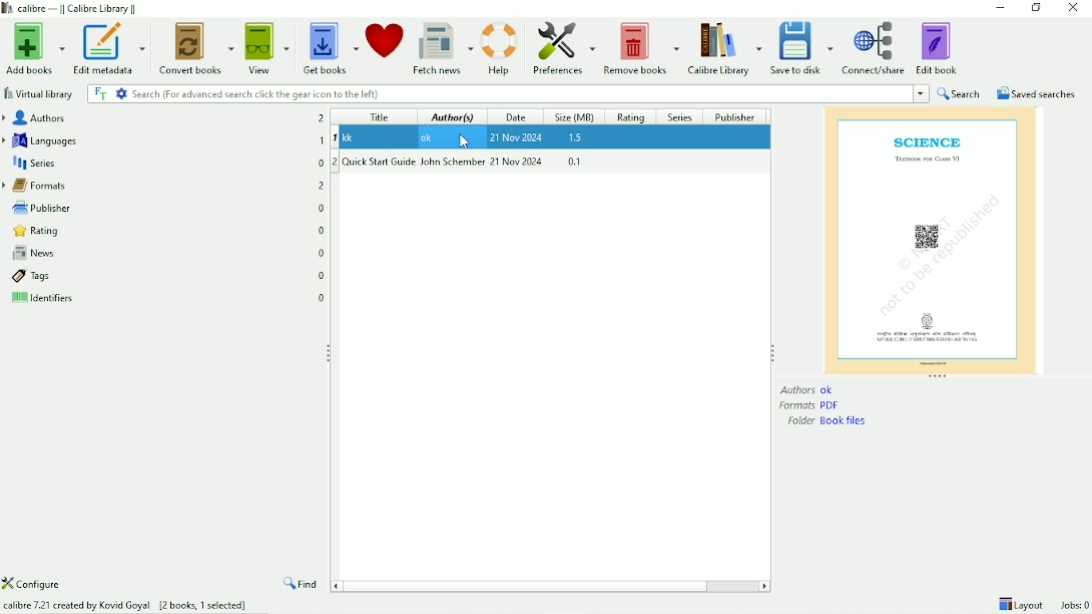 This screenshot has width=1092, height=614. I want to click on Size, so click(575, 116).